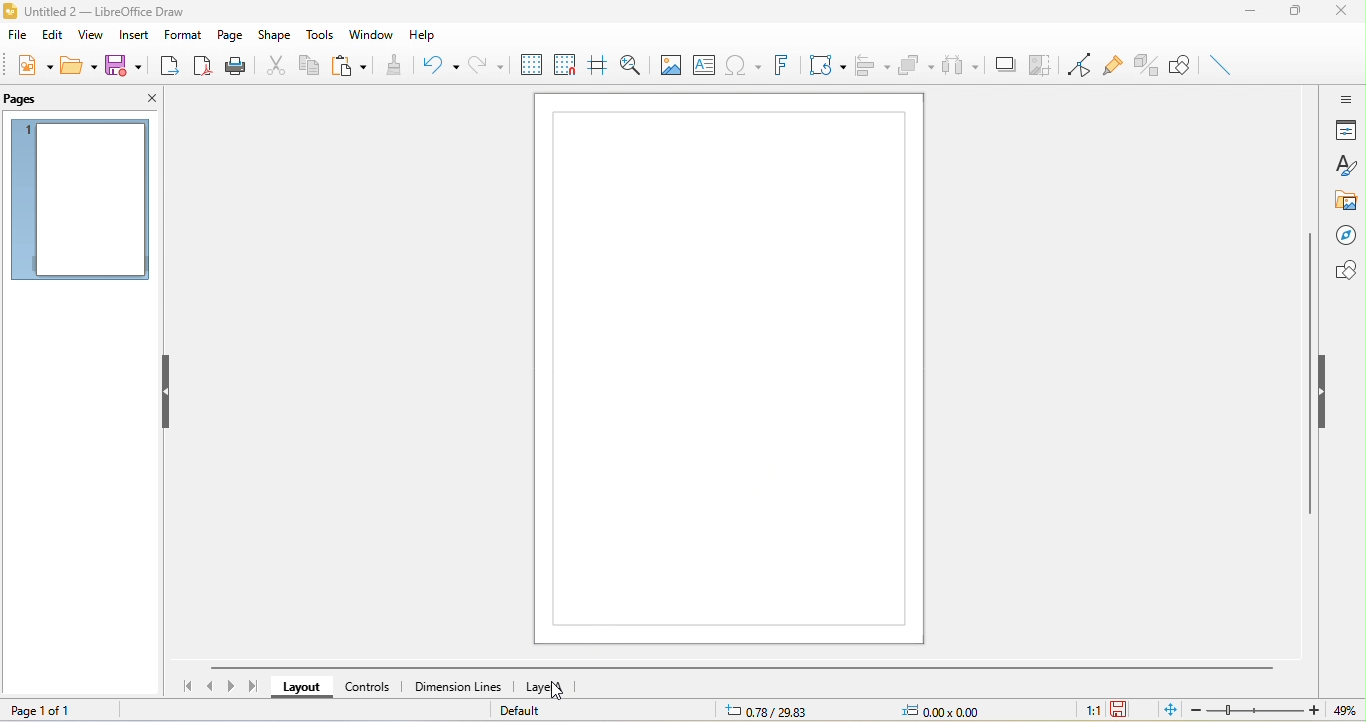 The image size is (1366, 722). What do you see at coordinates (12, 10) in the screenshot?
I see `logo` at bounding box center [12, 10].